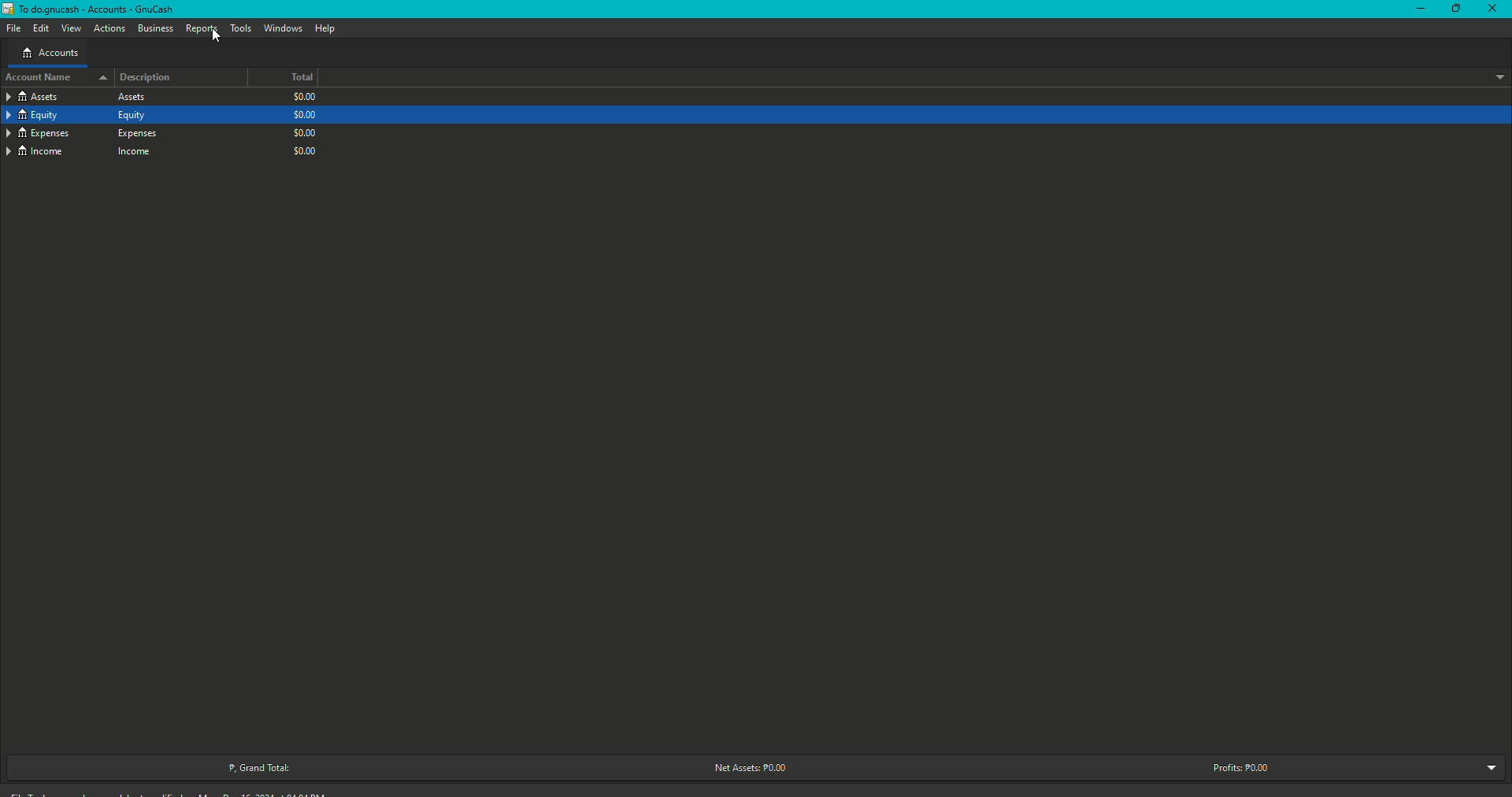  I want to click on Minimize, so click(1454, 11).